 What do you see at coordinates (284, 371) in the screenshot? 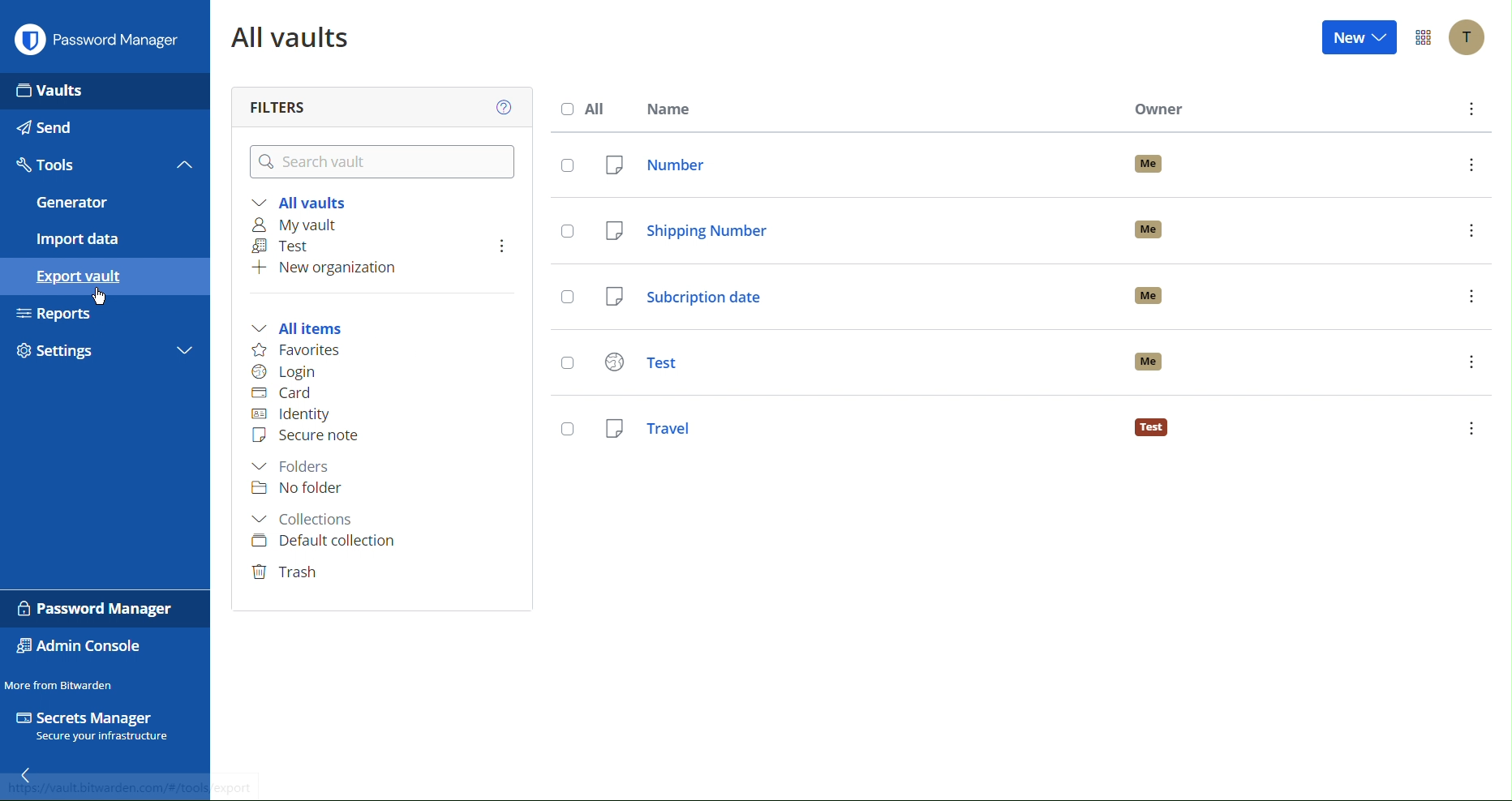
I see `Login` at bounding box center [284, 371].